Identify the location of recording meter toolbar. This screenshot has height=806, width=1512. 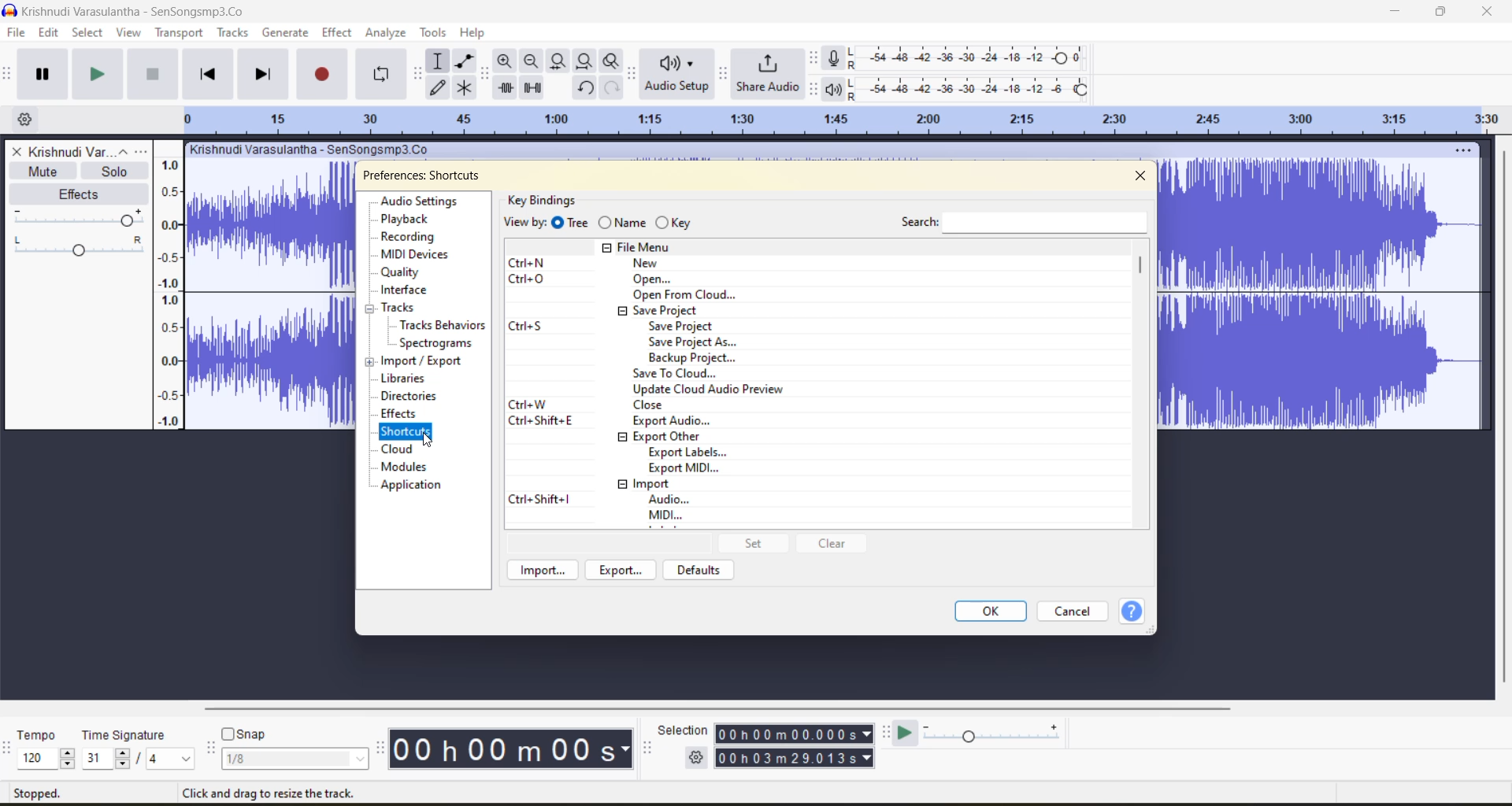
(815, 58).